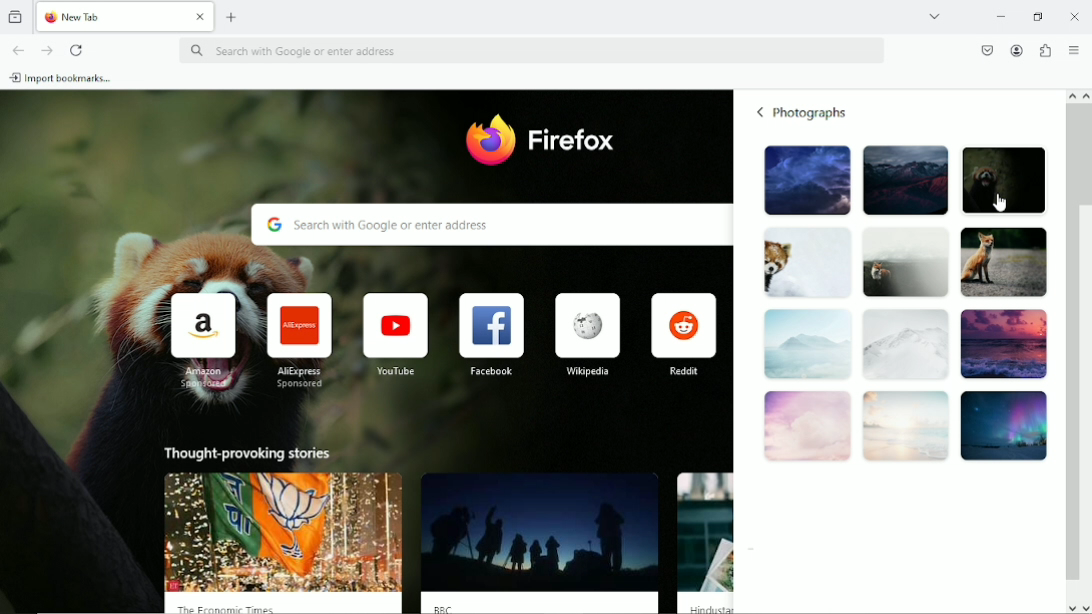  Describe the element at coordinates (1075, 49) in the screenshot. I see `Open application menu` at that location.